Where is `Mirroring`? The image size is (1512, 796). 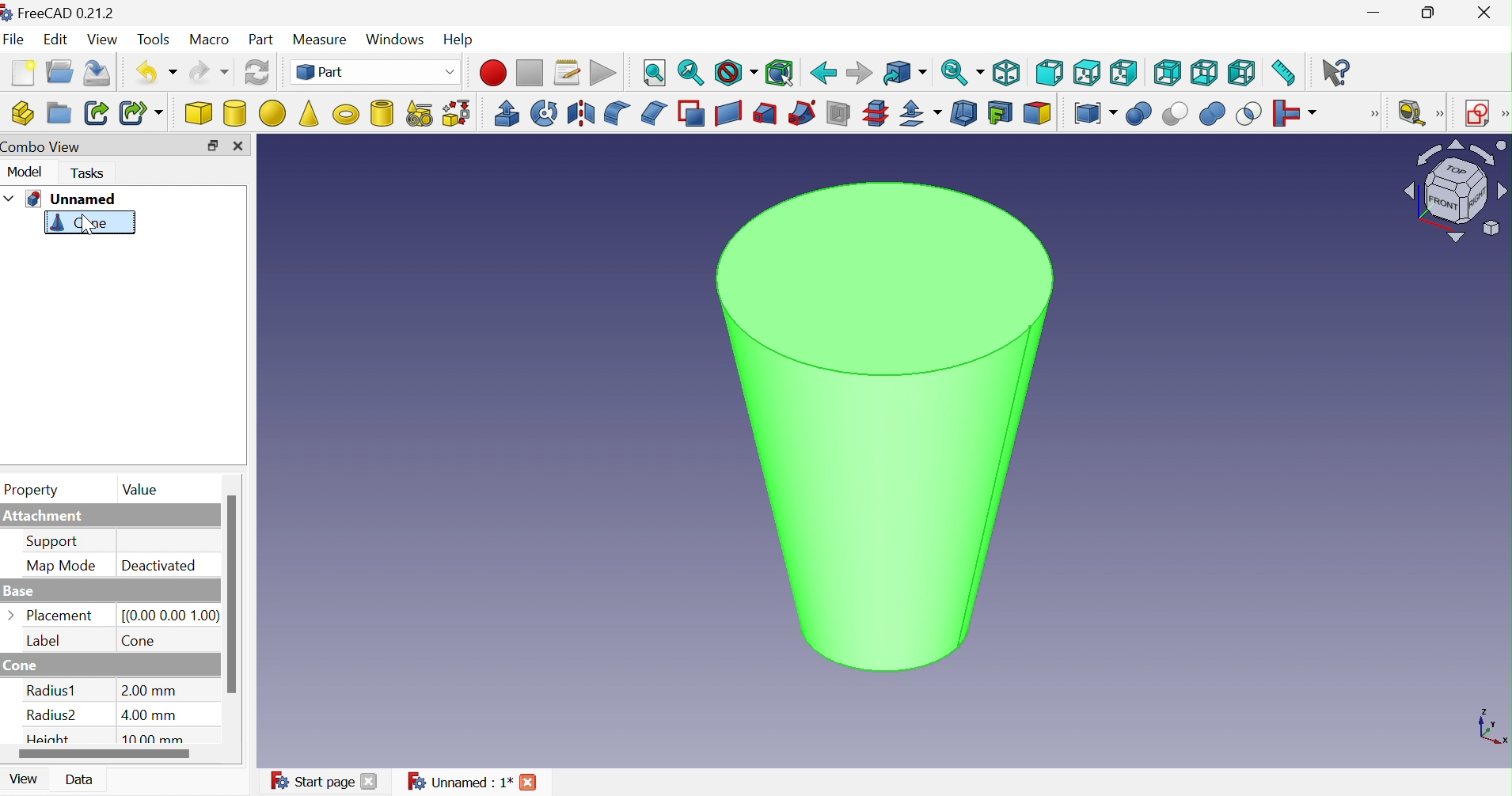 Mirroring is located at coordinates (583, 114).